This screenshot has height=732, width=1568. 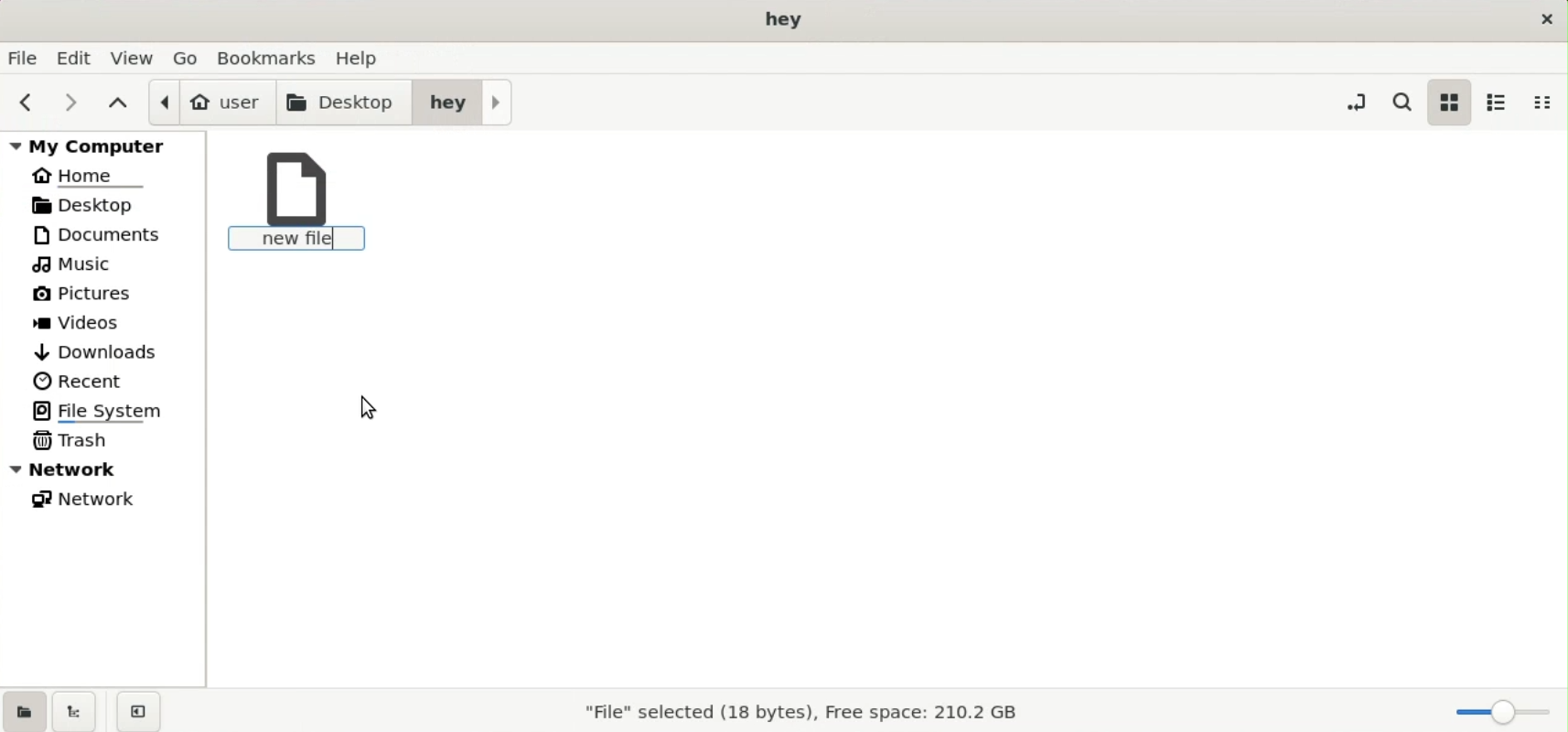 What do you see at coordinates (1548, 102) in the screenshot?
I see `compact view` at bounding box center [1548, 102].